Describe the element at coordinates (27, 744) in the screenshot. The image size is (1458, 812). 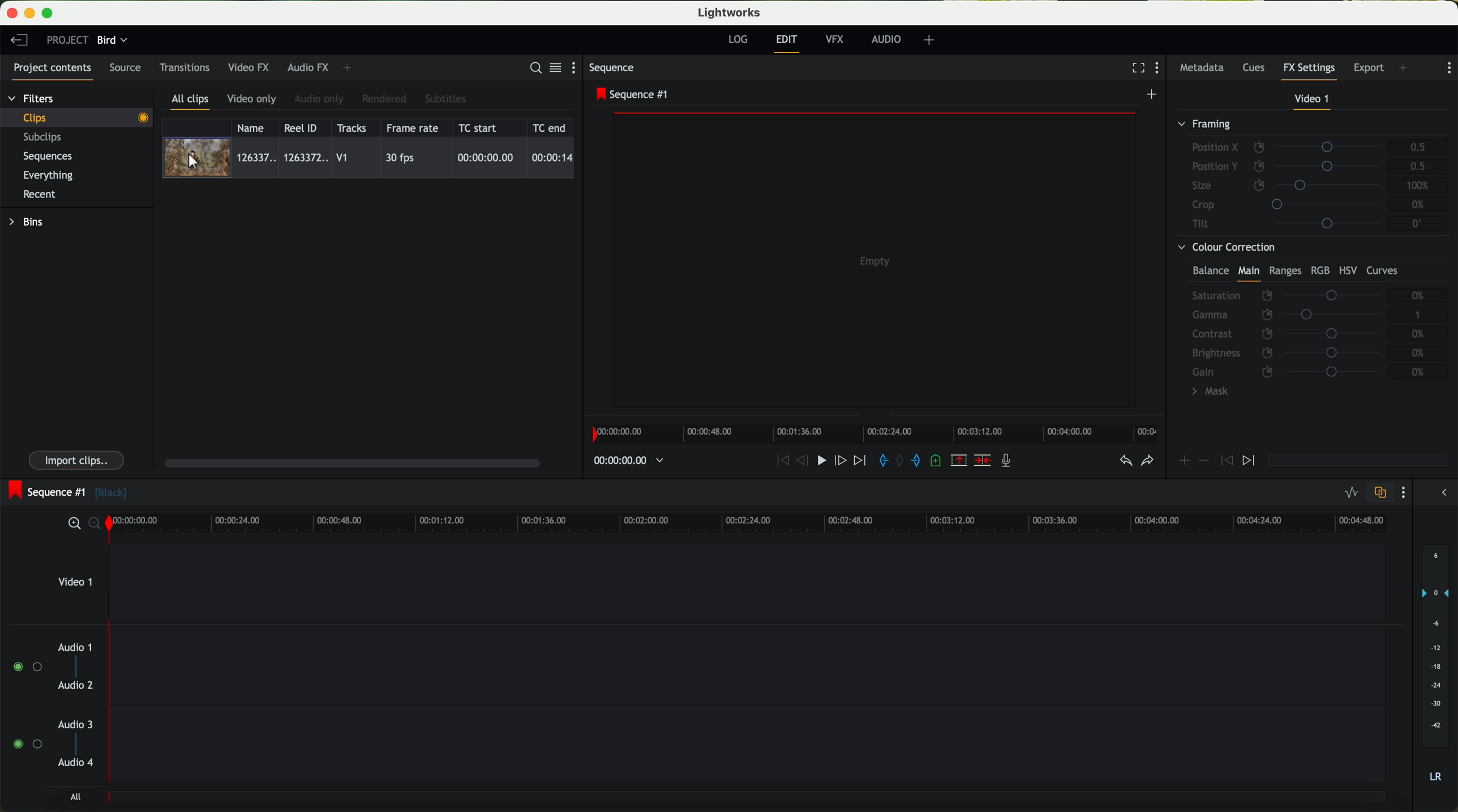
I see `enable audio` at that location.